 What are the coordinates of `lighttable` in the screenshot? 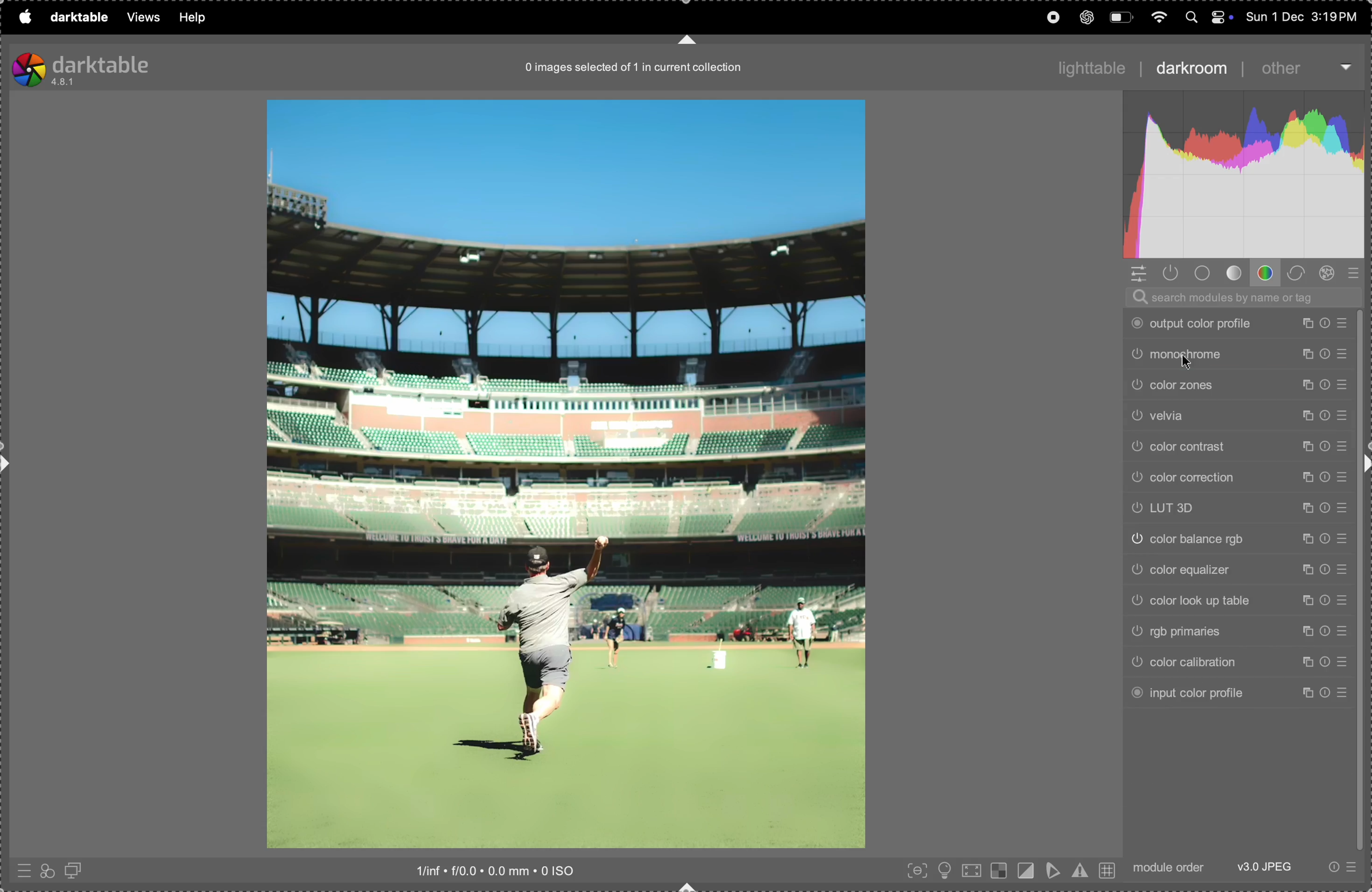 It's located at (1091, 67).